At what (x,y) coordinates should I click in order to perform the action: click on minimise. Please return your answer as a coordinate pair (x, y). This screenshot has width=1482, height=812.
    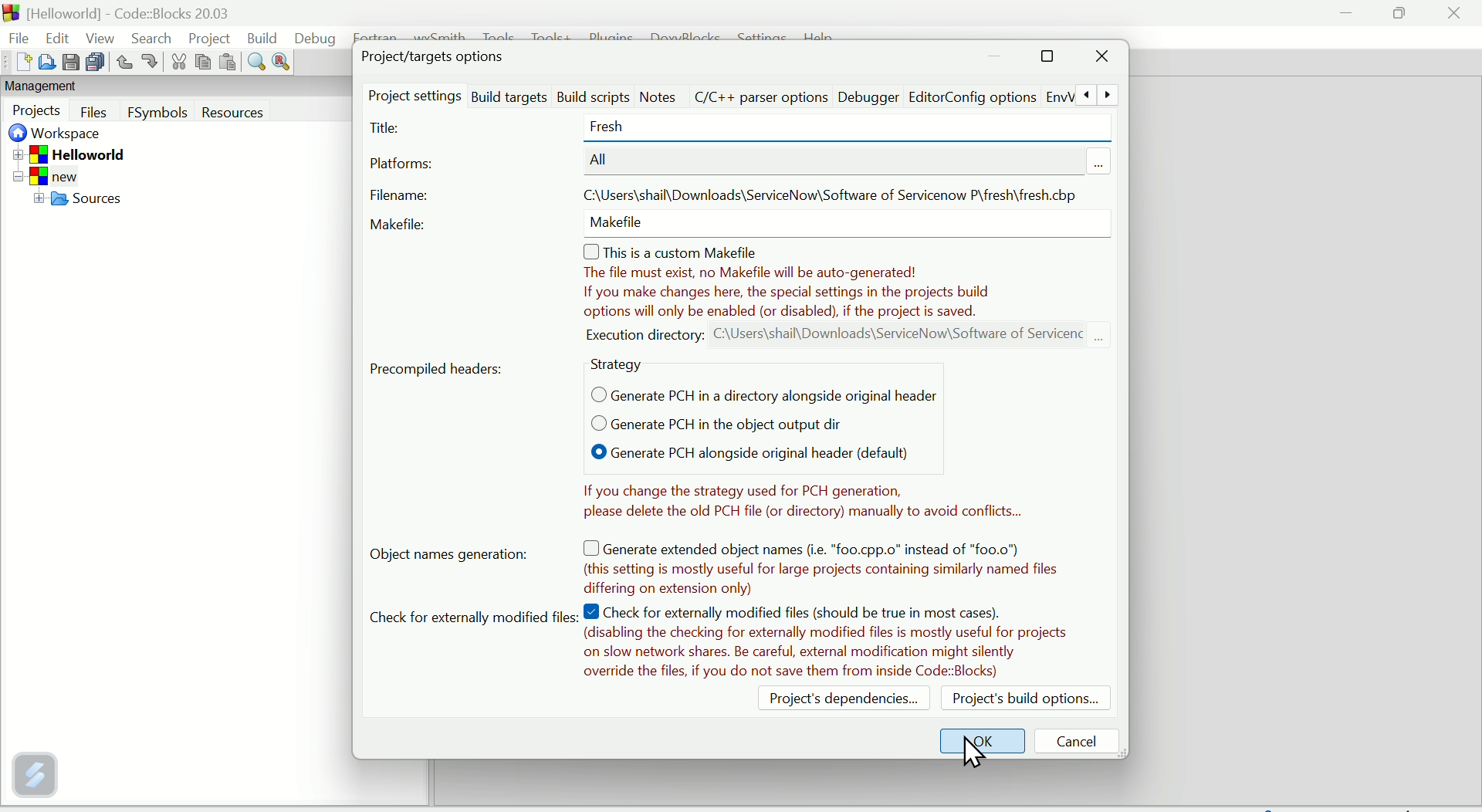
    Looking at the image, I should click on (996, 59).